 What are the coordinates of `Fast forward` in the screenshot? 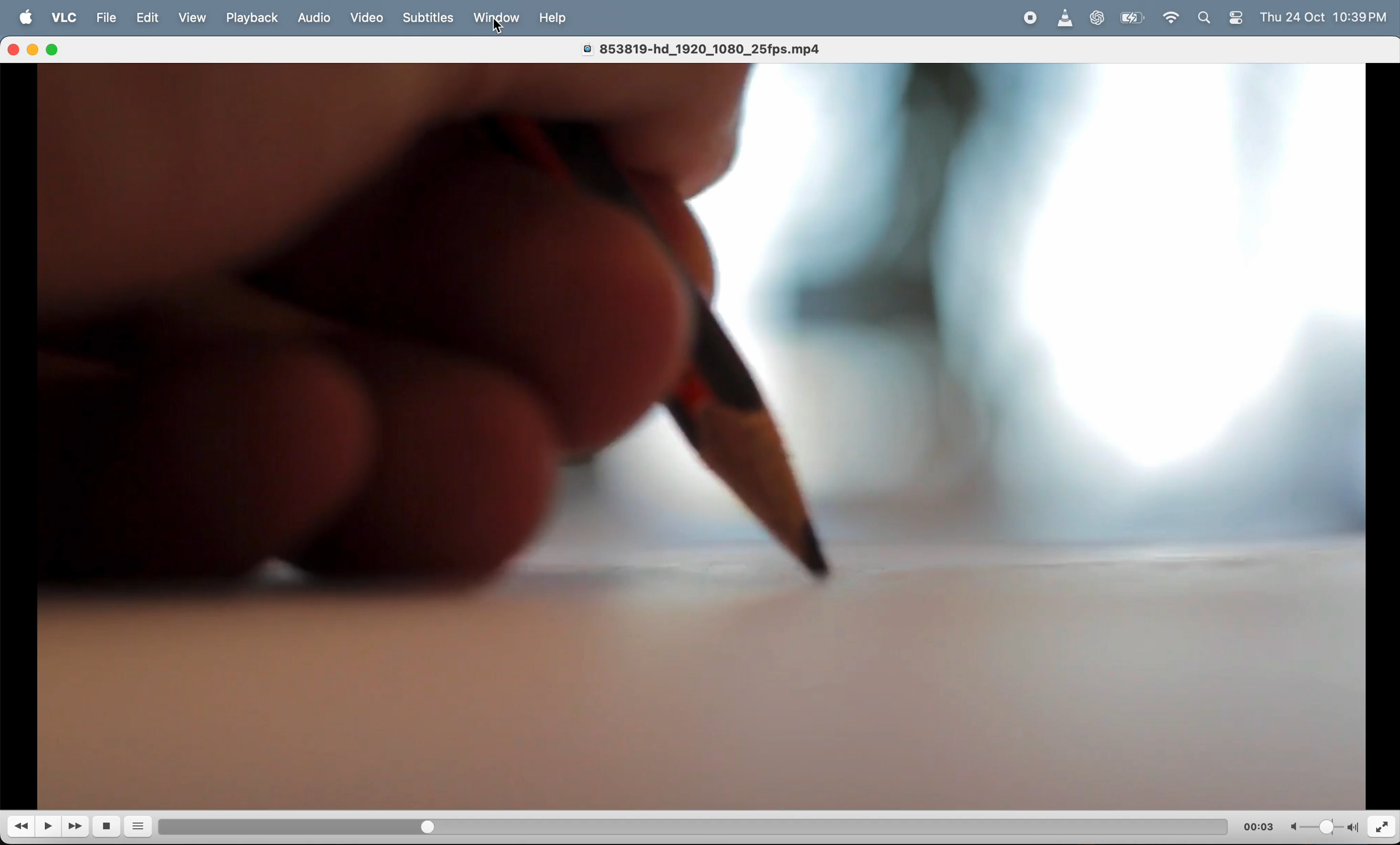 It's located at (77, 826).